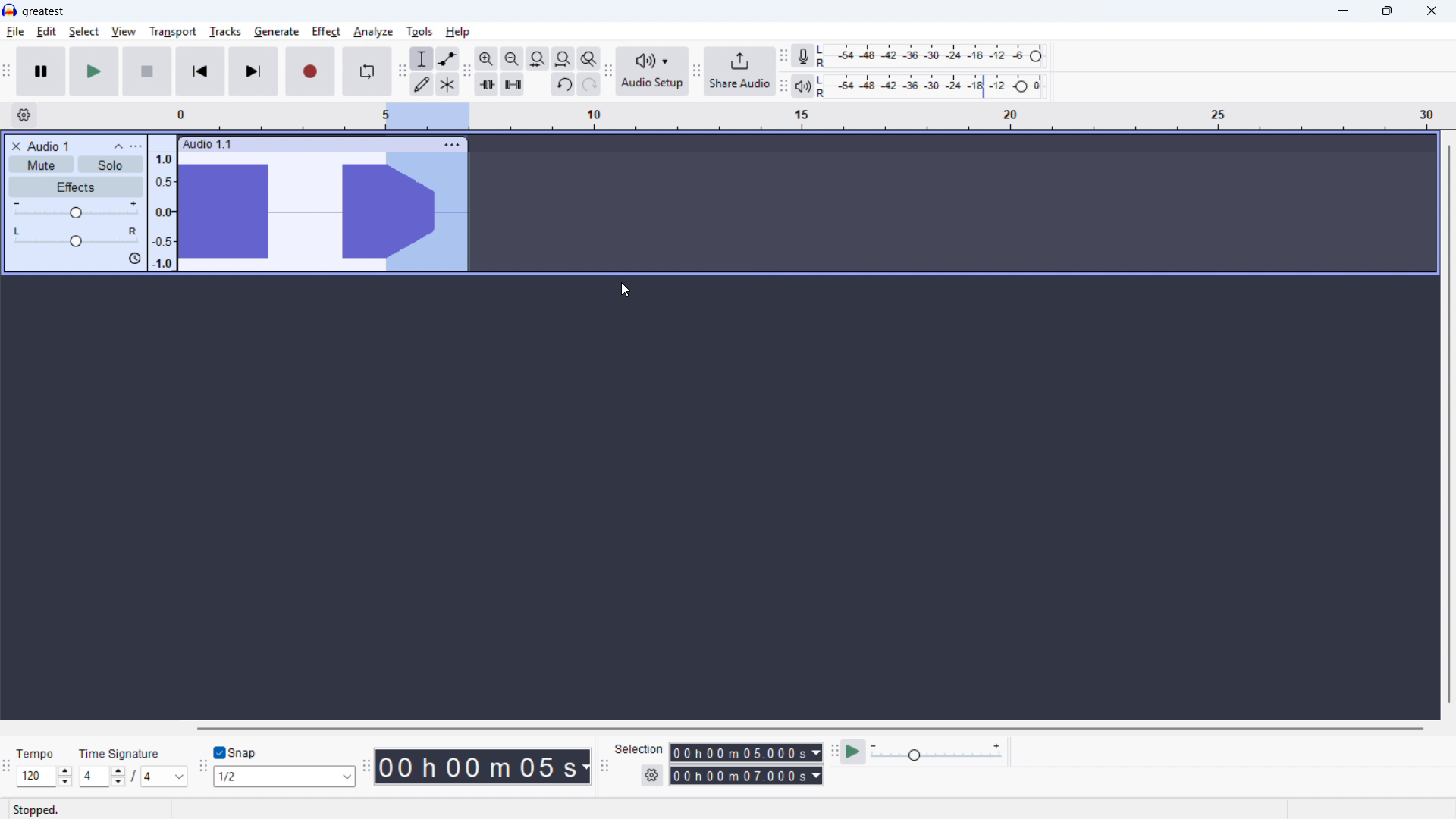 The width and height of the screenshot is (1456, 819). What do you see at coordinates (94, 71) in the screenshot?
I see `play ` at bounding box center [94, 71].